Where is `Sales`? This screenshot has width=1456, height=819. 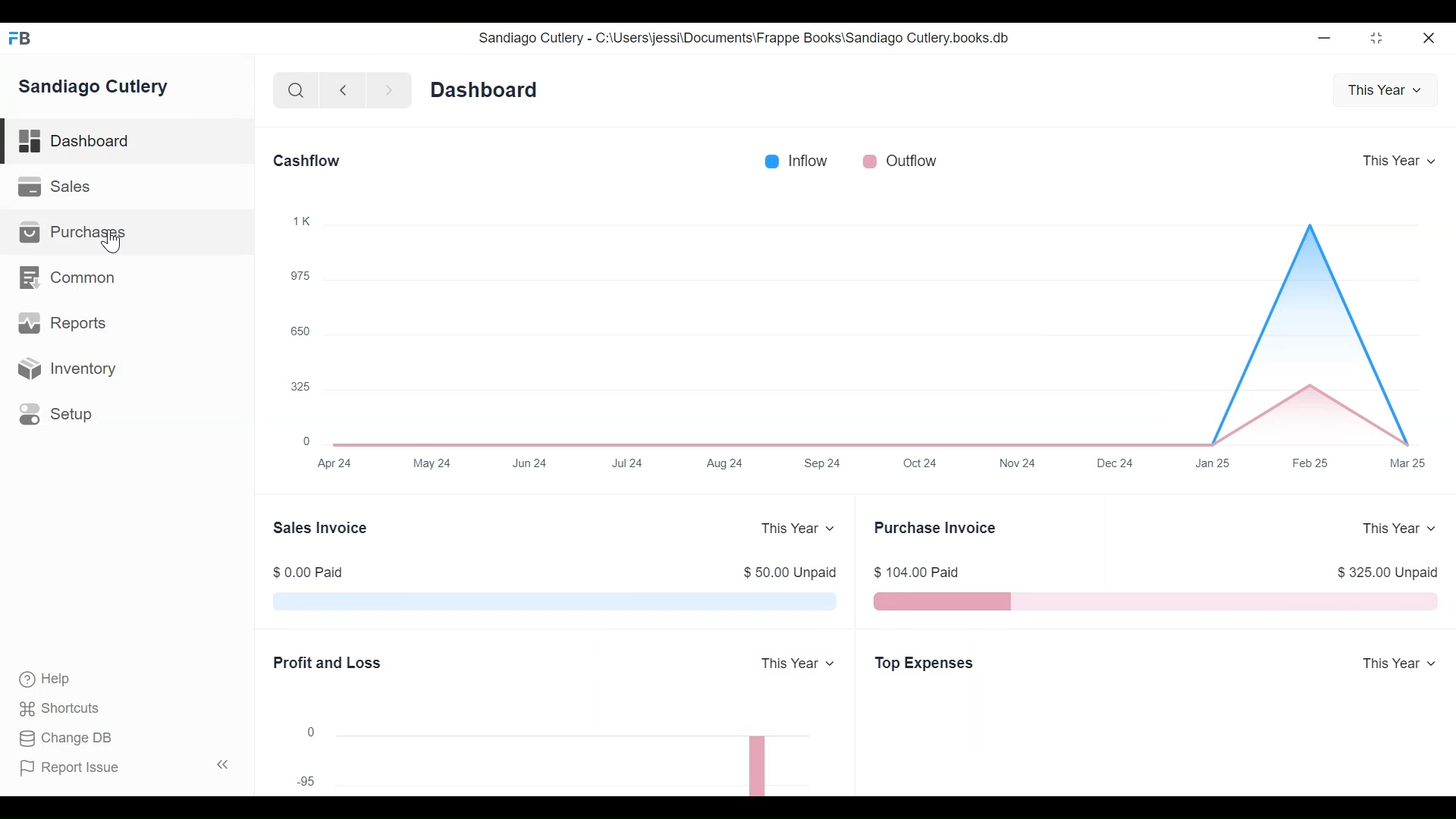 Sales is located at coordinates (55, 186).